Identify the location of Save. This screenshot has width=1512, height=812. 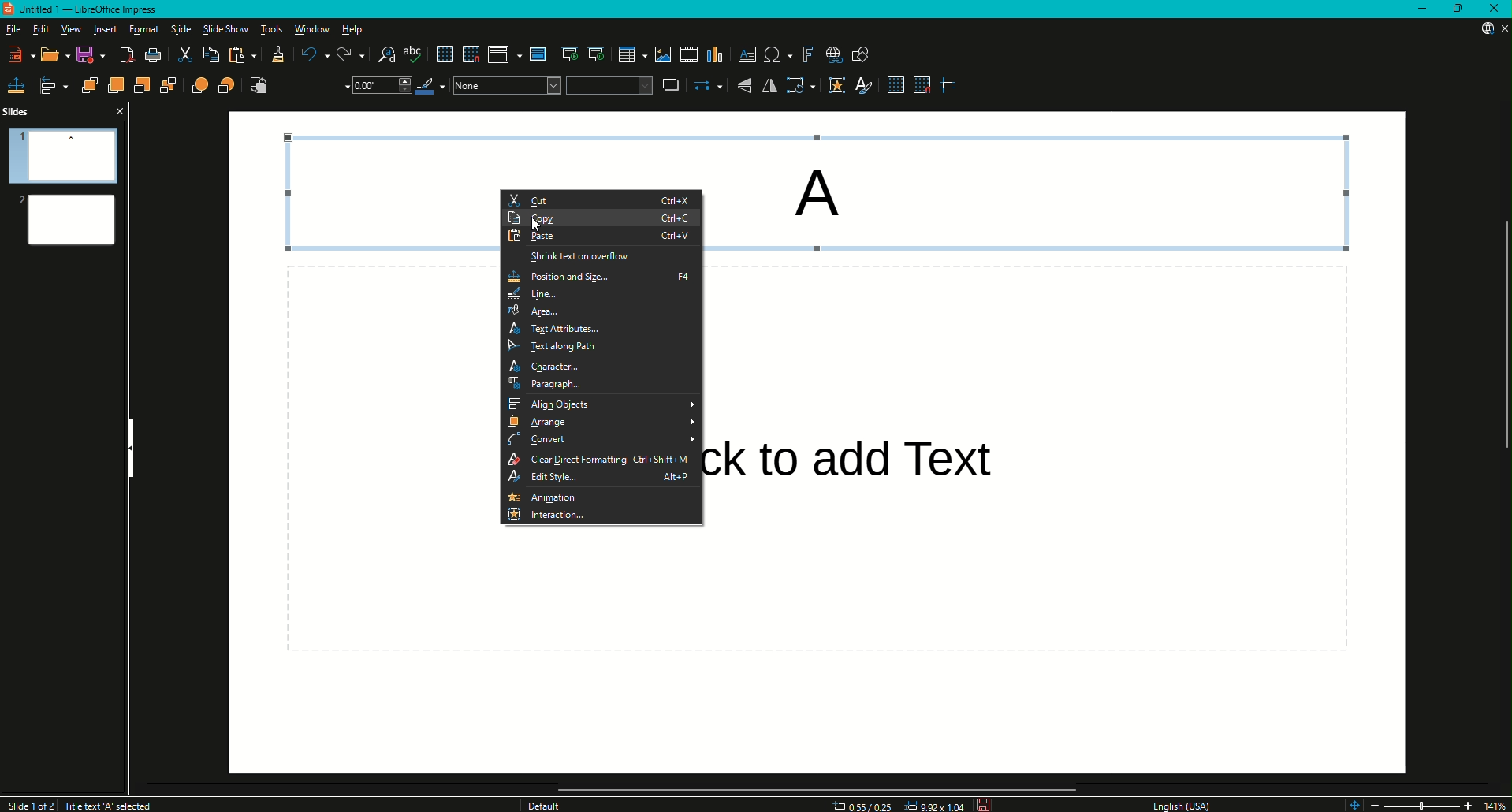
(984, 803).